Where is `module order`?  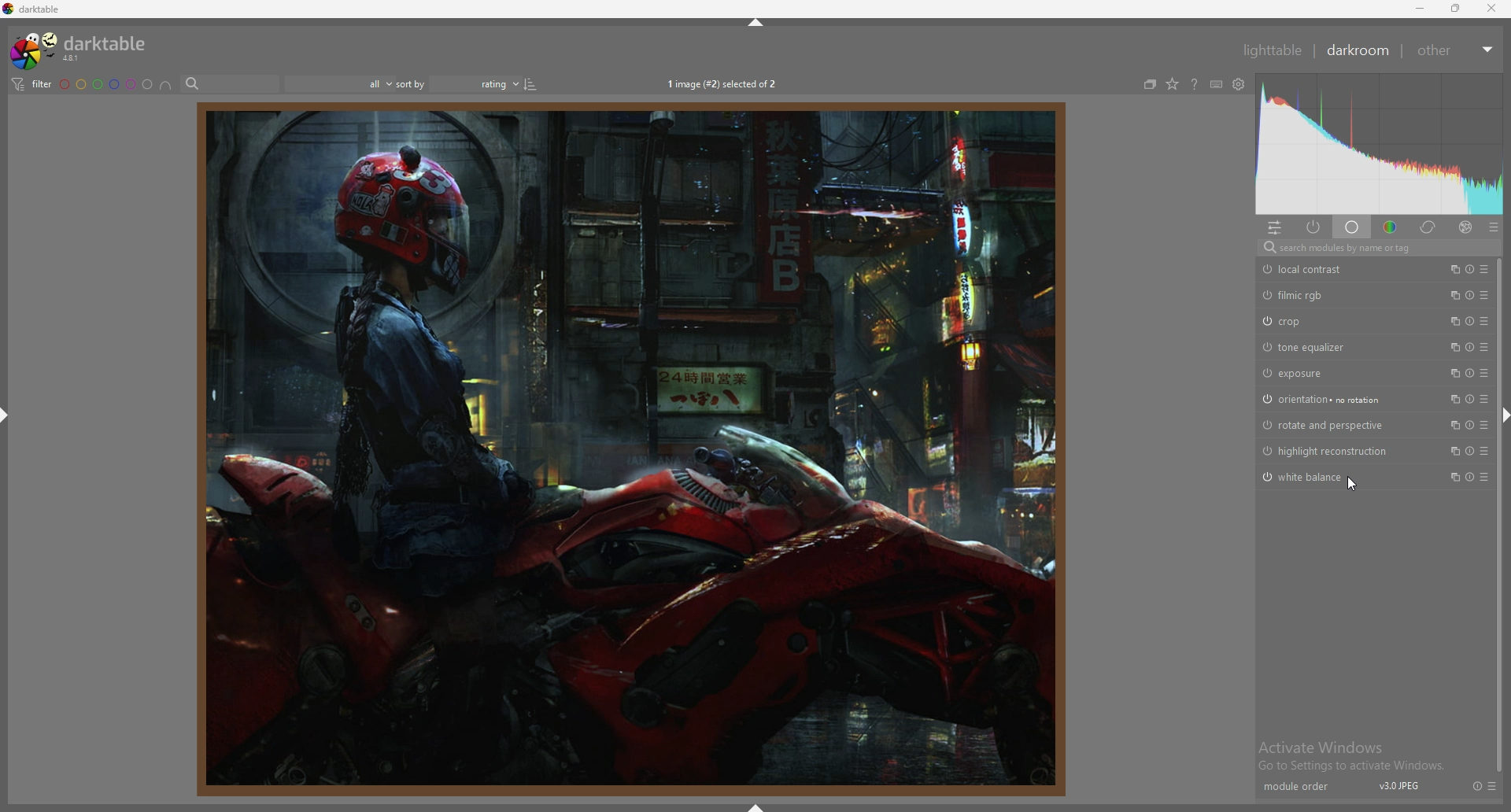 module order is located at coordinates (1296, 785).